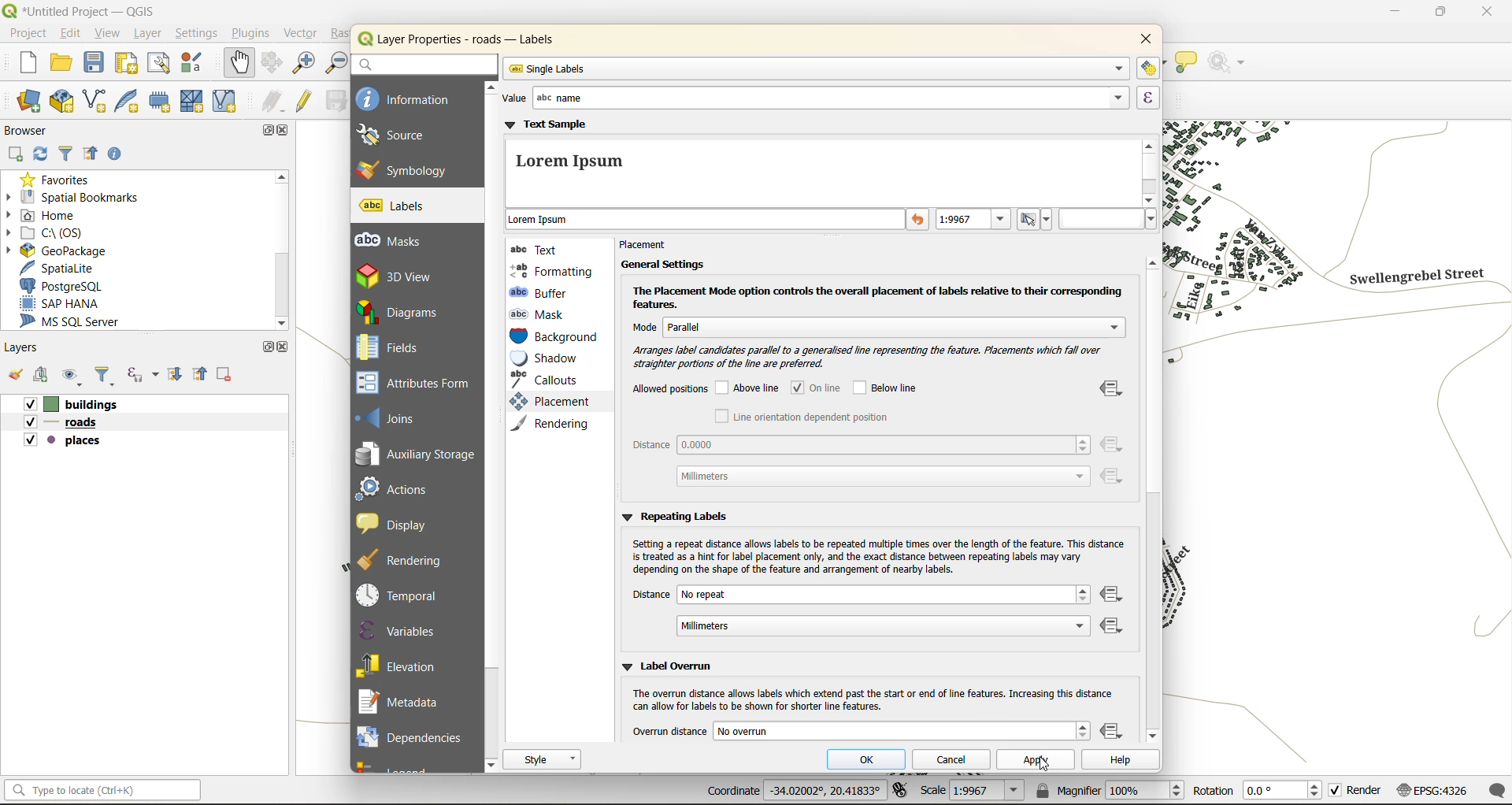  What do you see at coordinates (94, 62) in the screenshot?
I see `save` at bounding box center [94, 62].